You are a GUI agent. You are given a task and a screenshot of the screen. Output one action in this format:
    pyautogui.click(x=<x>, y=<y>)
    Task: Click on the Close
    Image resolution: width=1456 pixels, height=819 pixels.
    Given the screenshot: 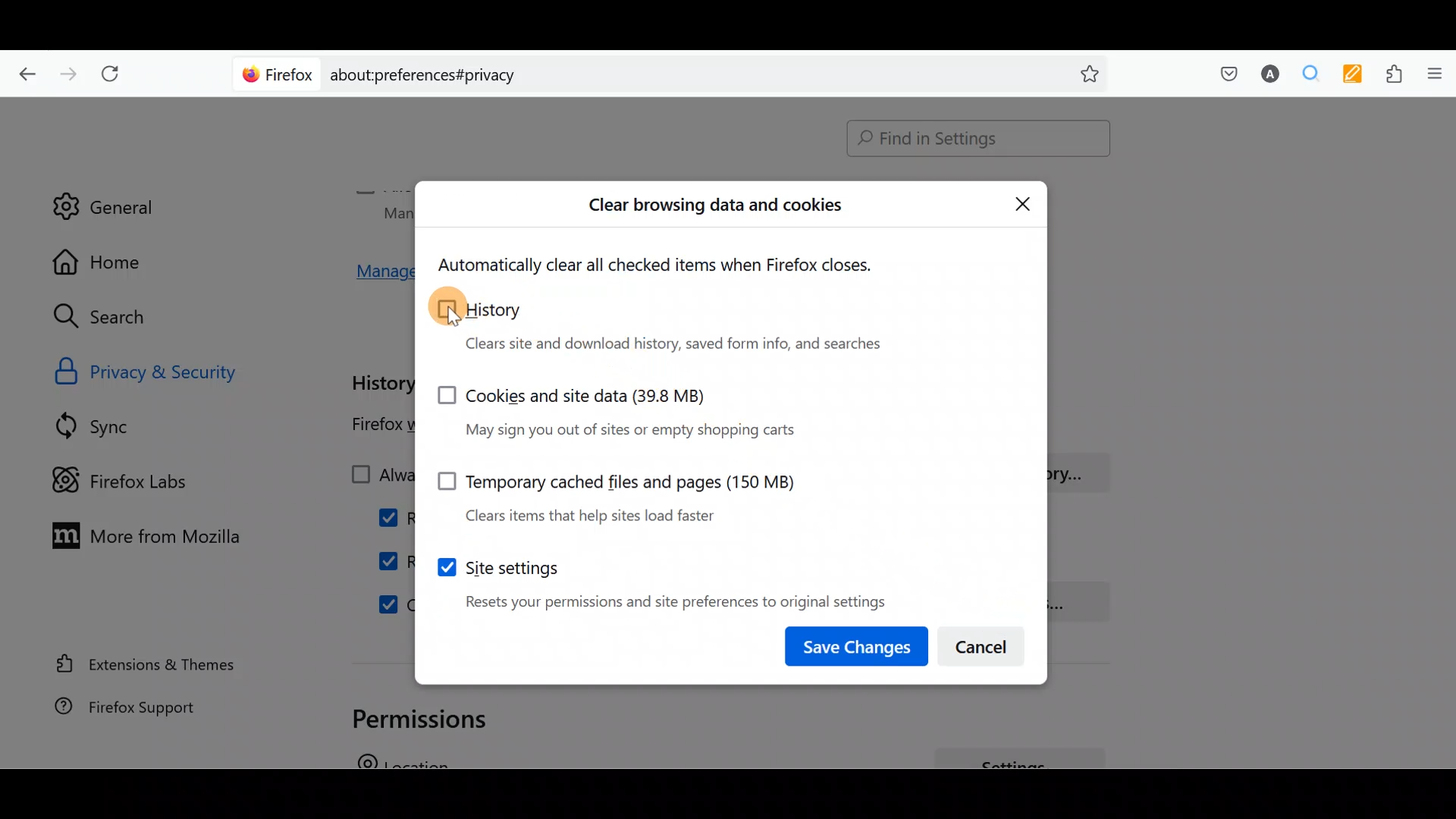 What is the action you would take?
    pyautogui.click(x=1023, y=202)
    